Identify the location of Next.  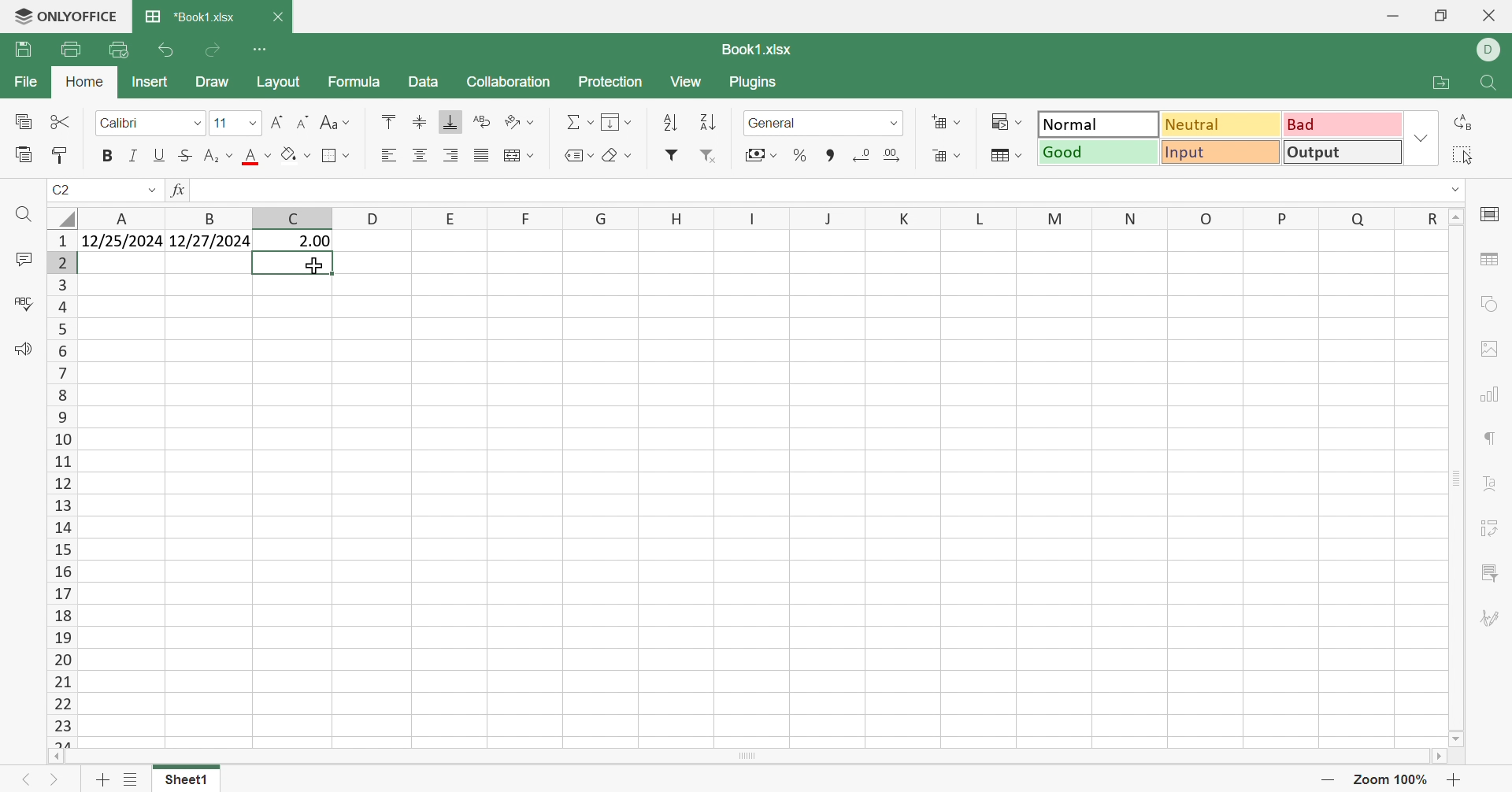
(55, 777).